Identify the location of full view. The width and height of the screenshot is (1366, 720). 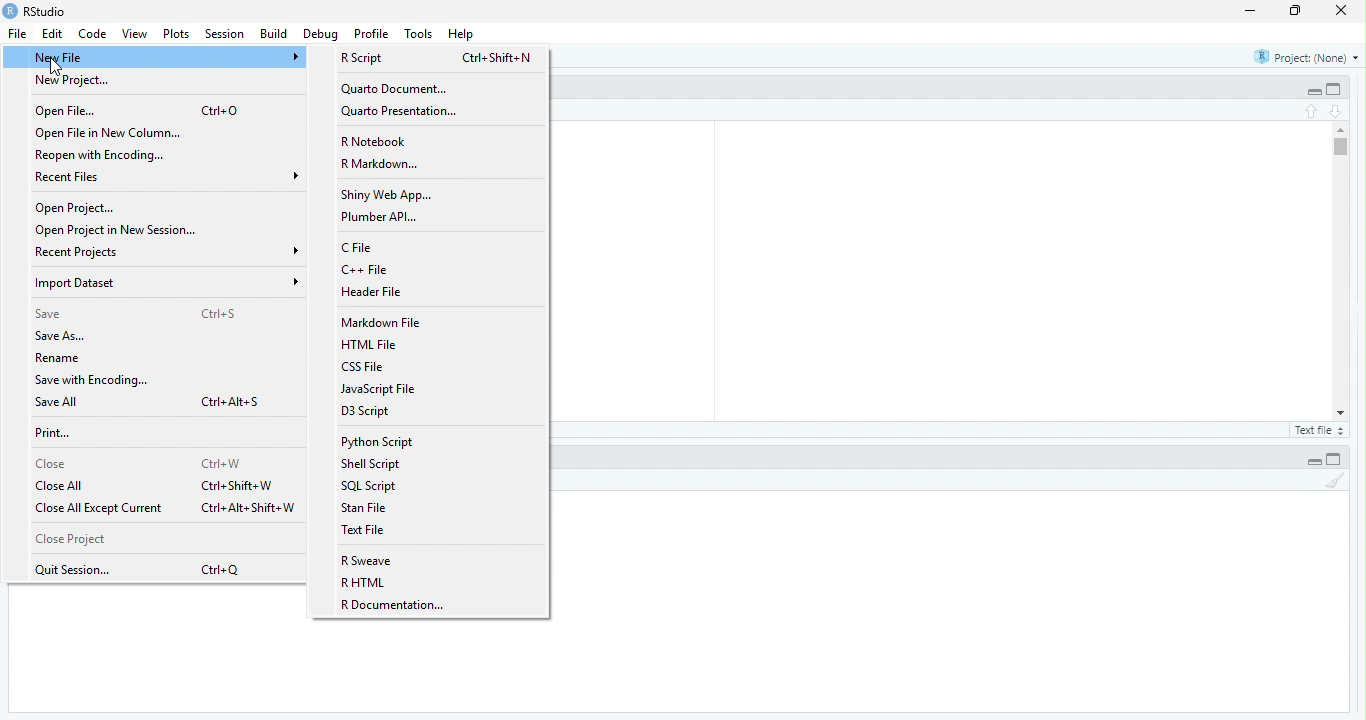
(1334, 459).